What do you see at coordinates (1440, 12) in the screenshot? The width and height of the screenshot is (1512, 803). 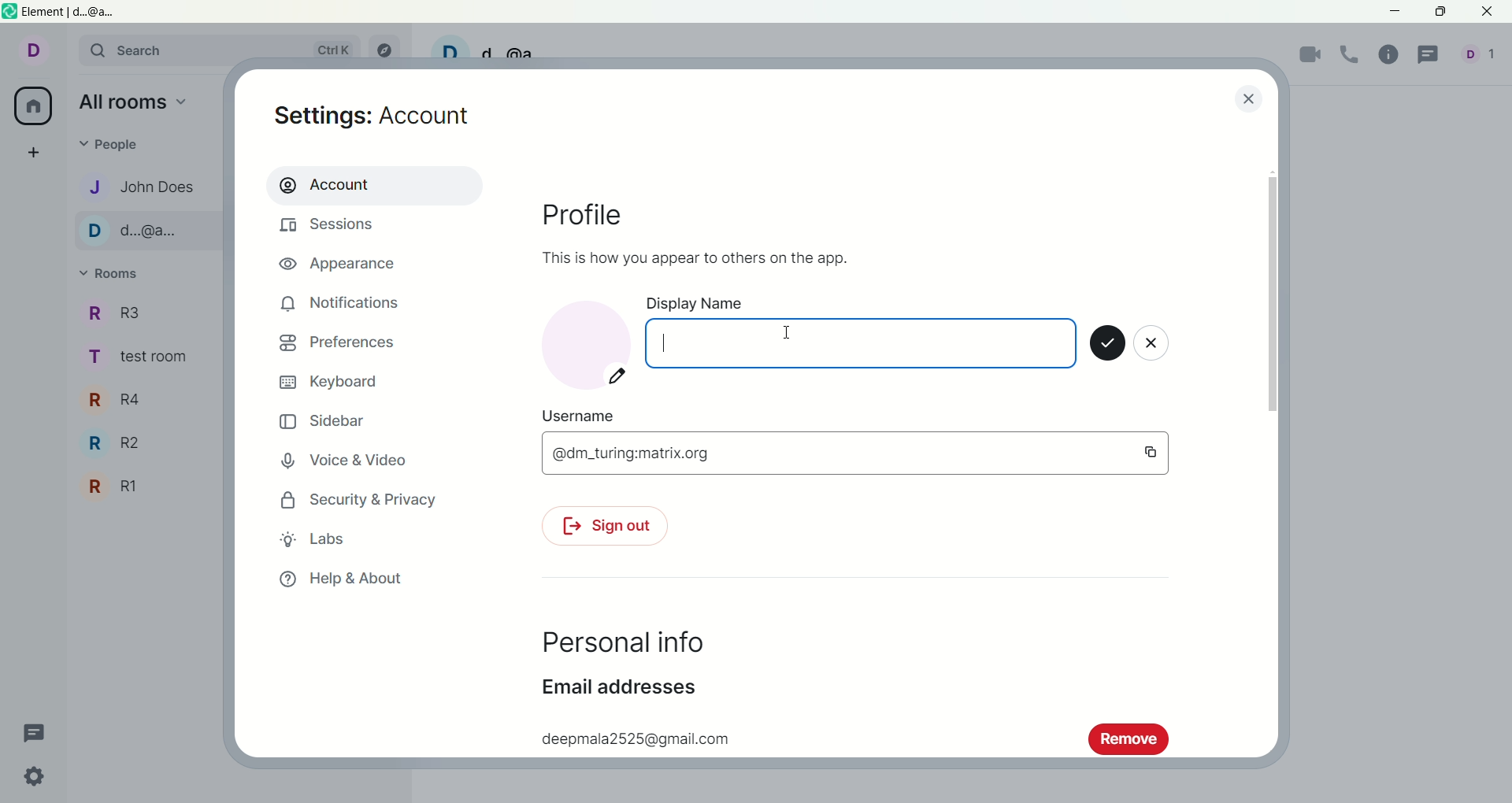 I see `maximize` at bounding box center [1440, 12].